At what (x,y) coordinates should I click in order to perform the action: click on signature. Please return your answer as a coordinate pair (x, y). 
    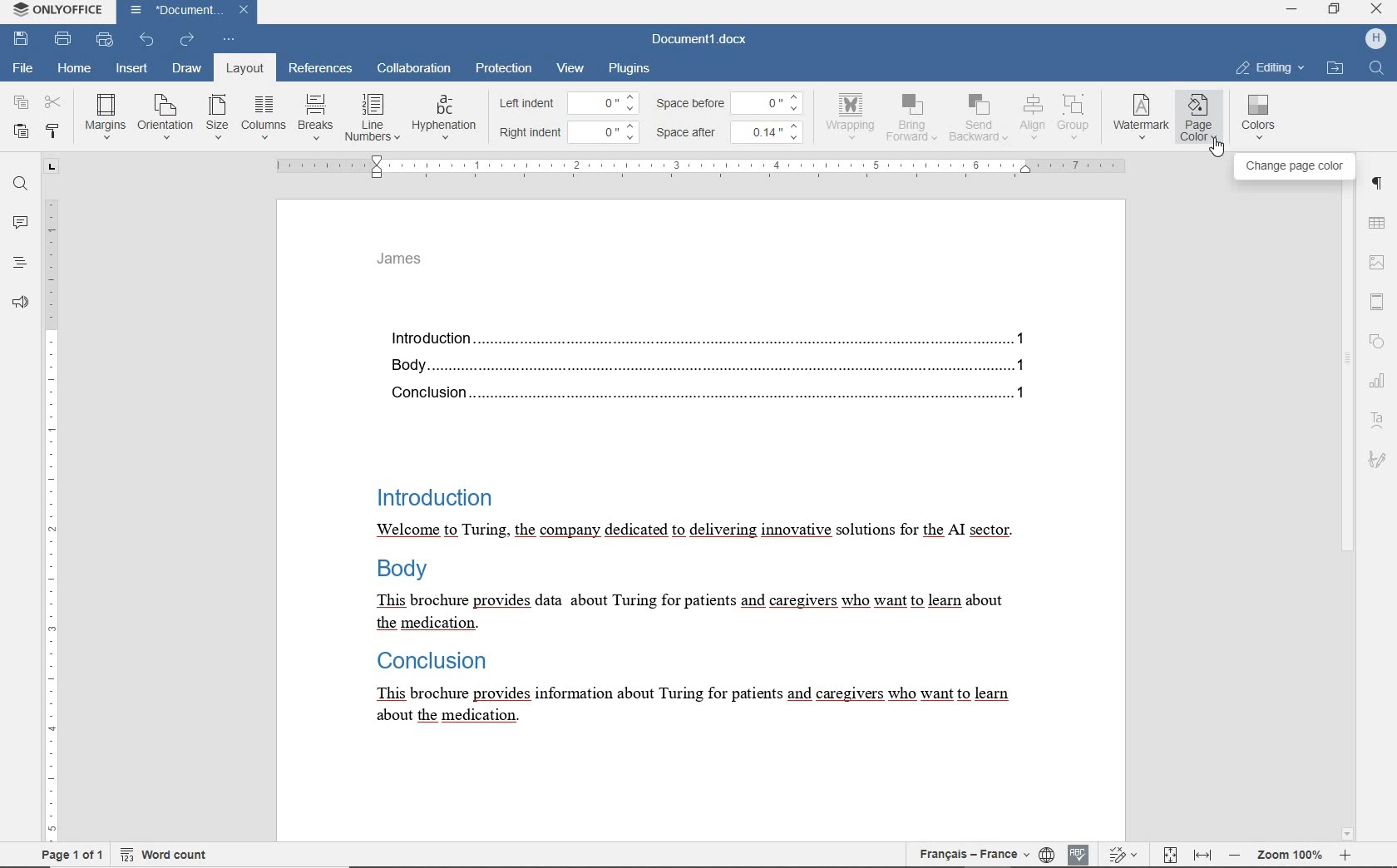
    Looking at the image, I should click on (1378, 460).